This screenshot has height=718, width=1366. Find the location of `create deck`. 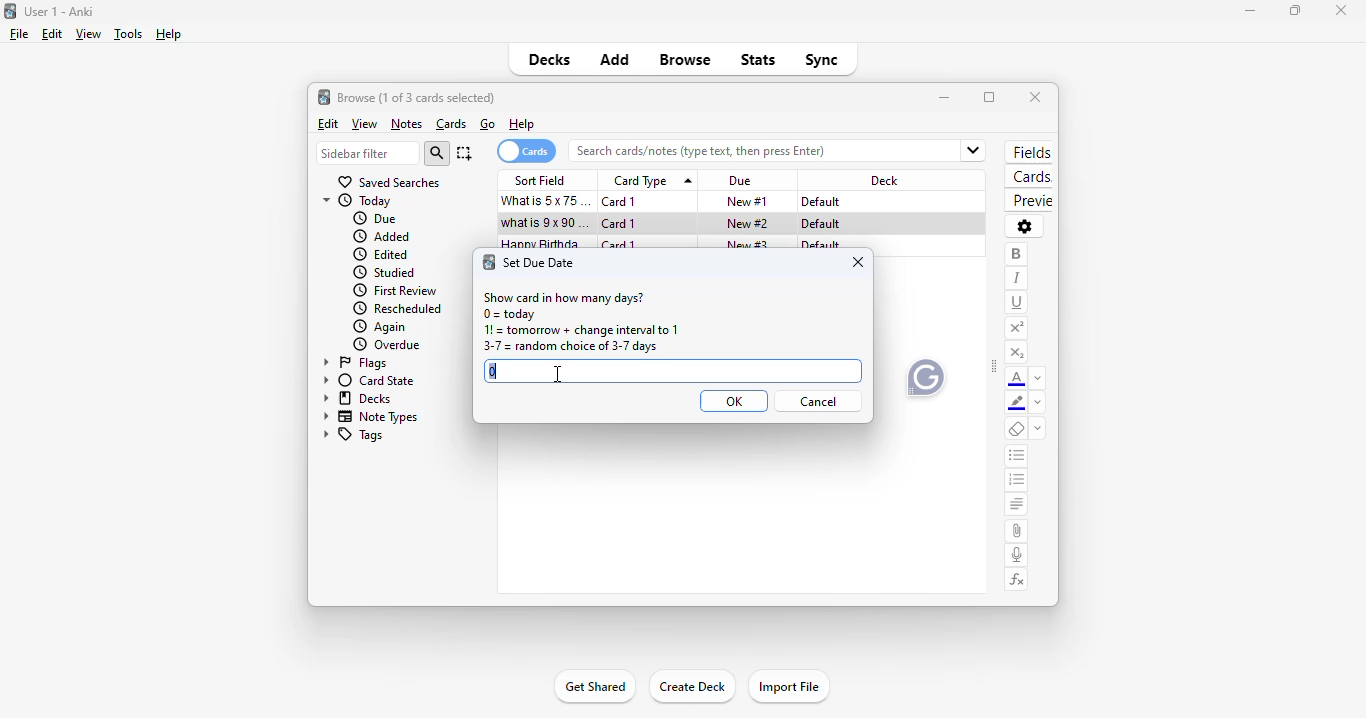

create deck is located at coordinates (690, 685).